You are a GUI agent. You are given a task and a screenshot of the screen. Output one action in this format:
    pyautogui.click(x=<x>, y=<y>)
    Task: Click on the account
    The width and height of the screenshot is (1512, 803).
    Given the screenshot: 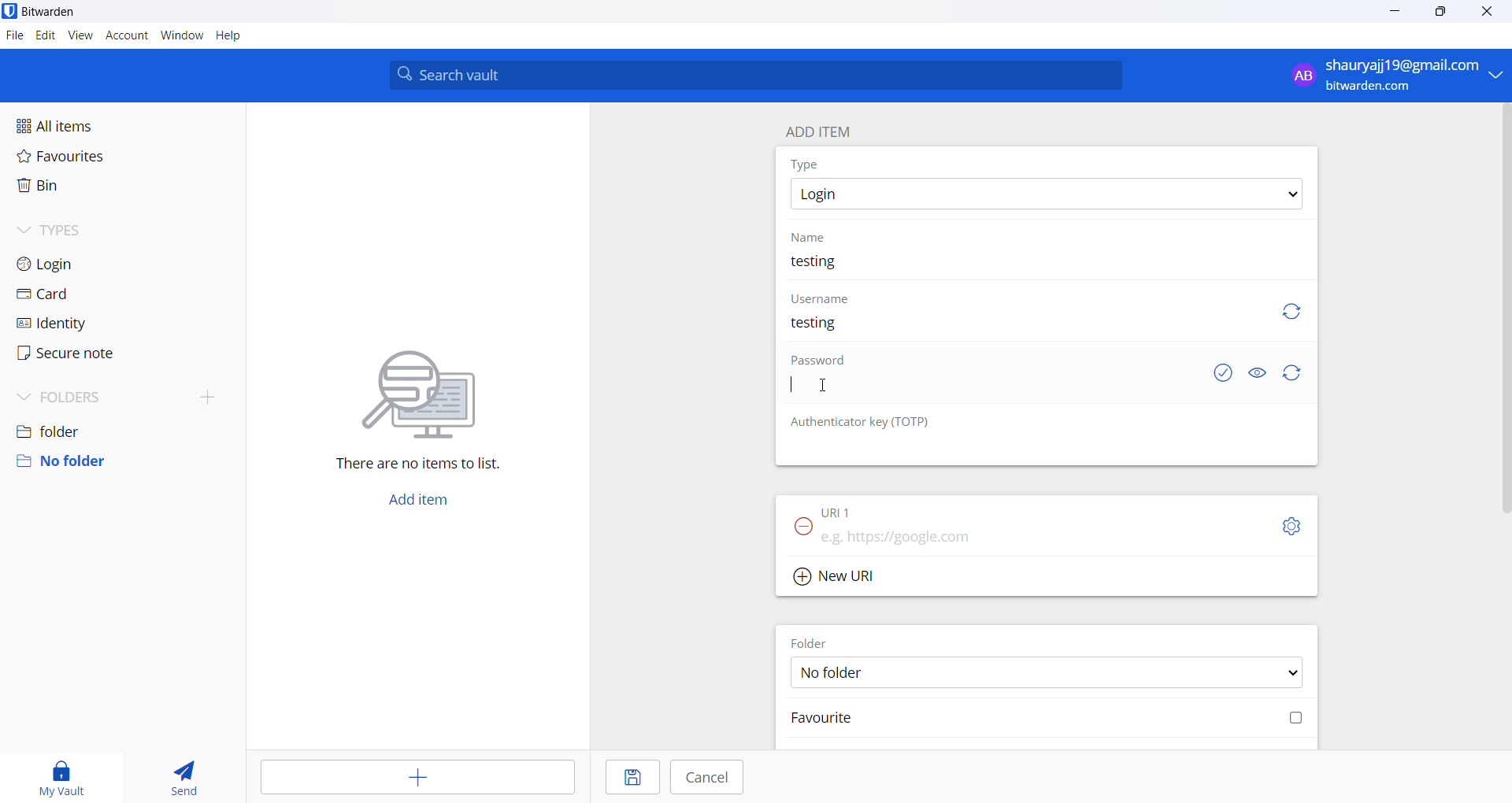 What is the action you would take?
    pyautogui.click(x=125, y=36)
    